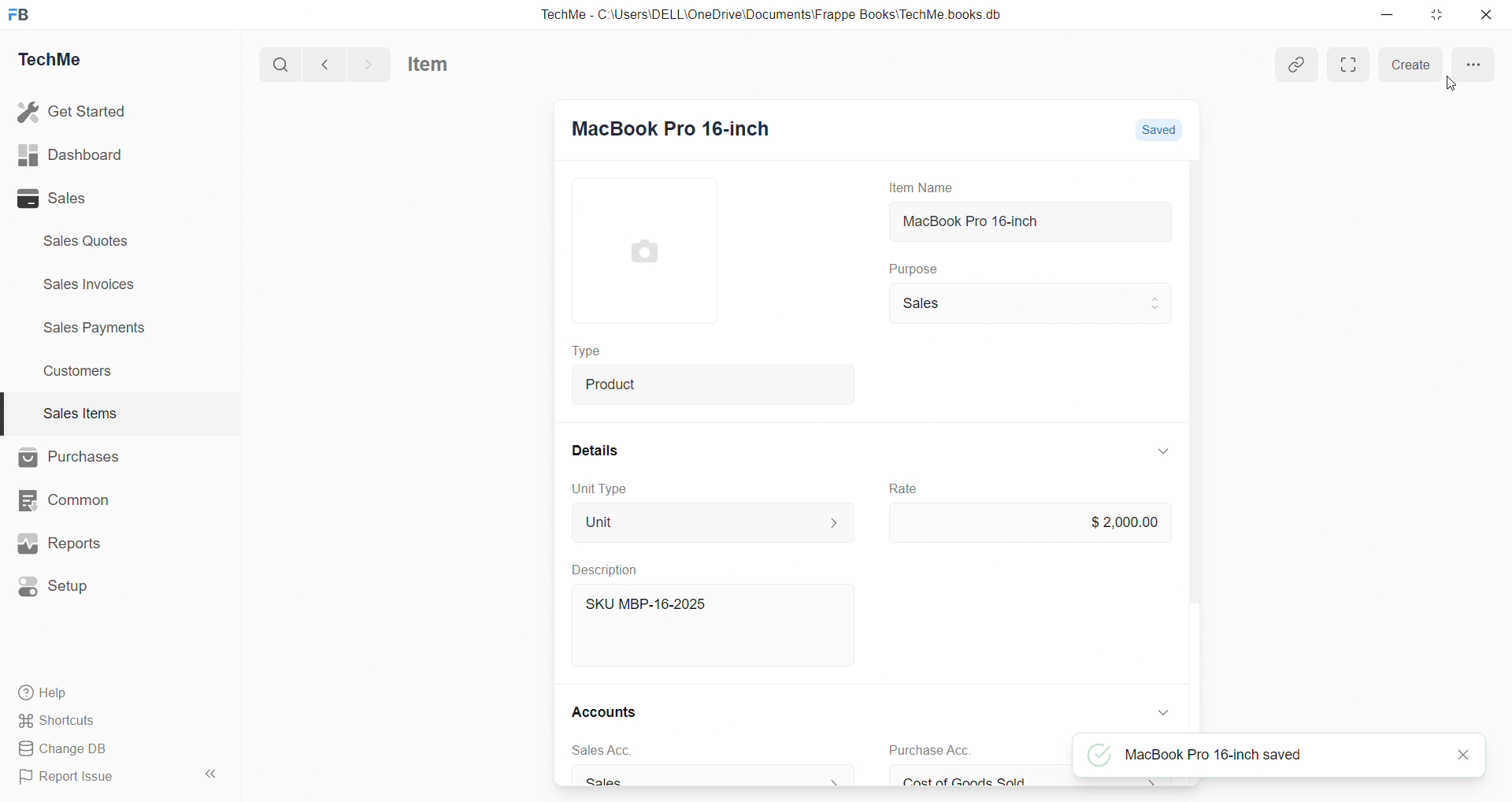  Describe the element at coordinates (585, 350) in the screenshot. I see `Type` at that location.